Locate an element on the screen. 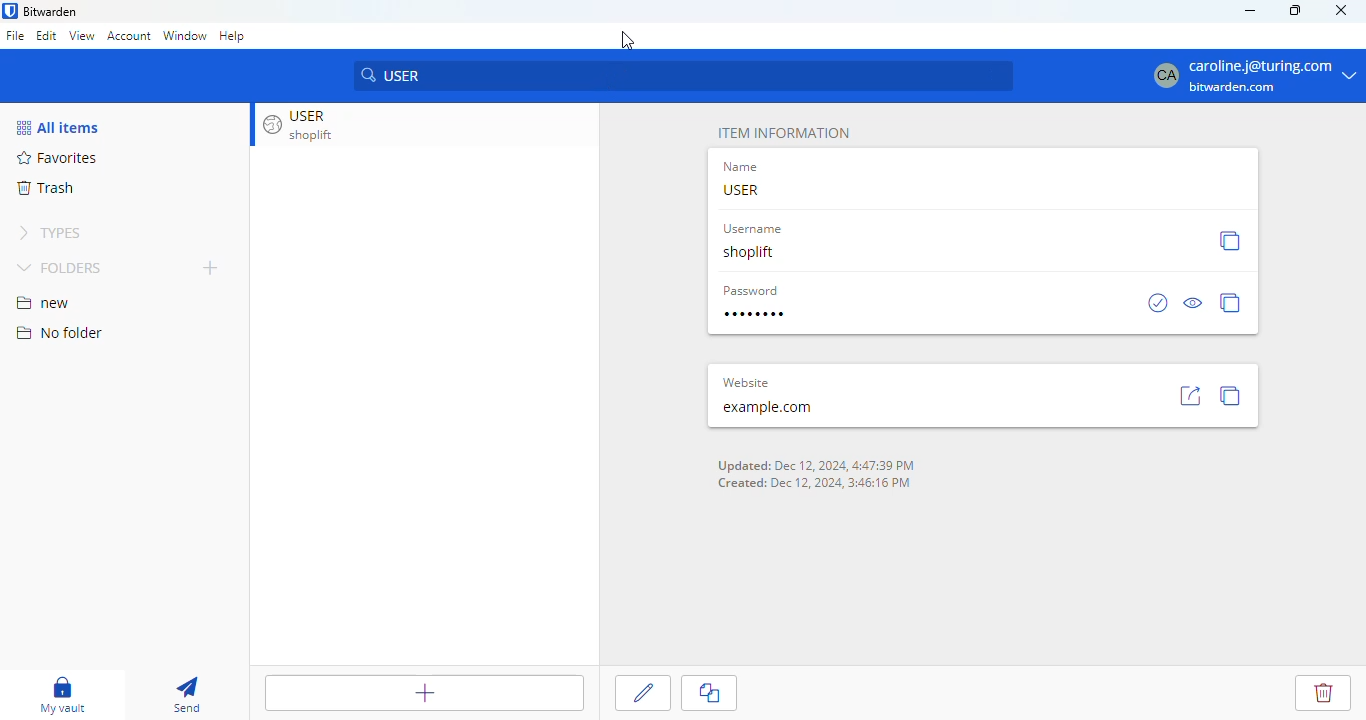 Image resolution: width=1366 pixels, height=720 pixels. copy is located at coordinates (1231, 240).